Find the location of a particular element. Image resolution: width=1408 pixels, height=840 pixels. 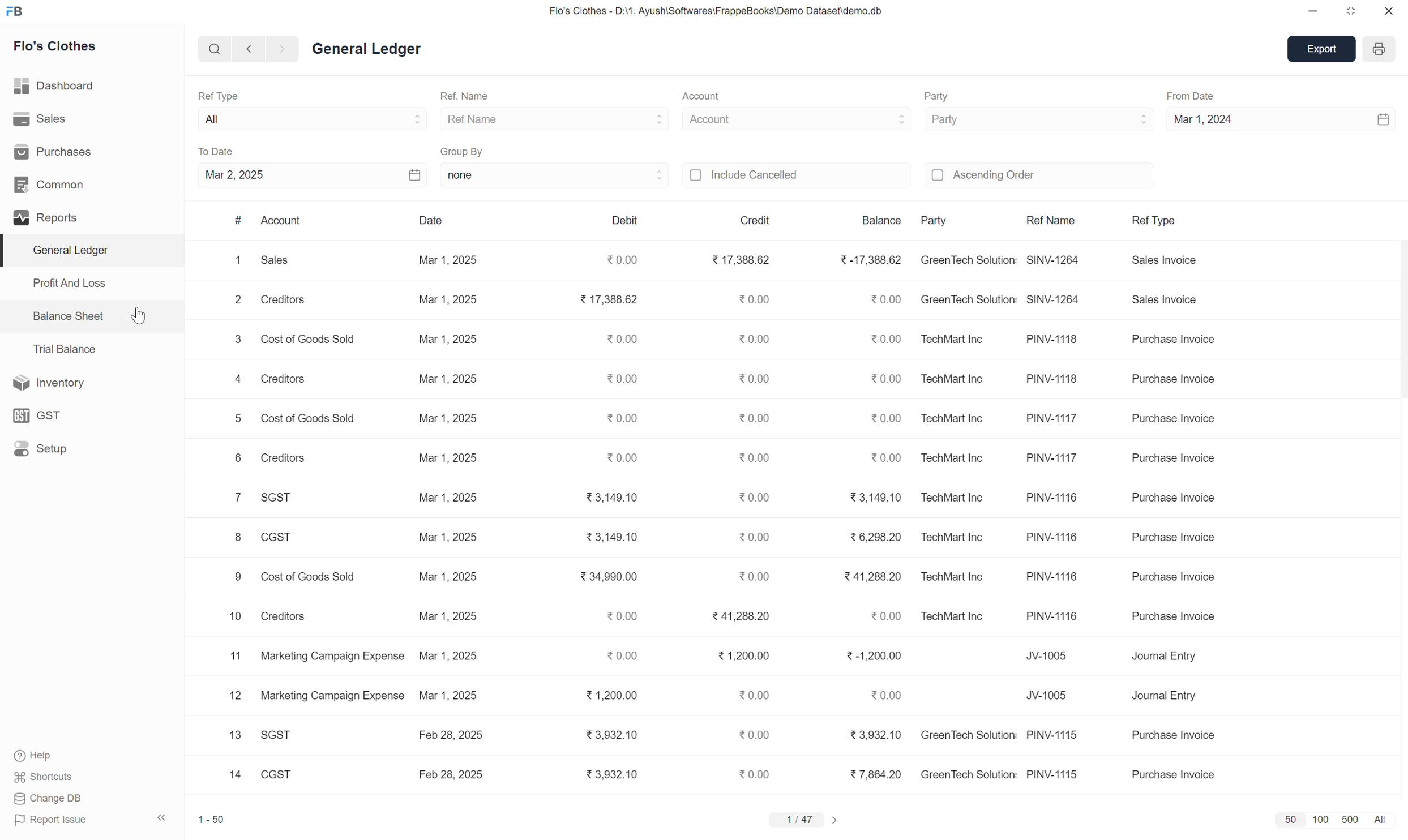

Inventory is located at coordinates (52, 383).